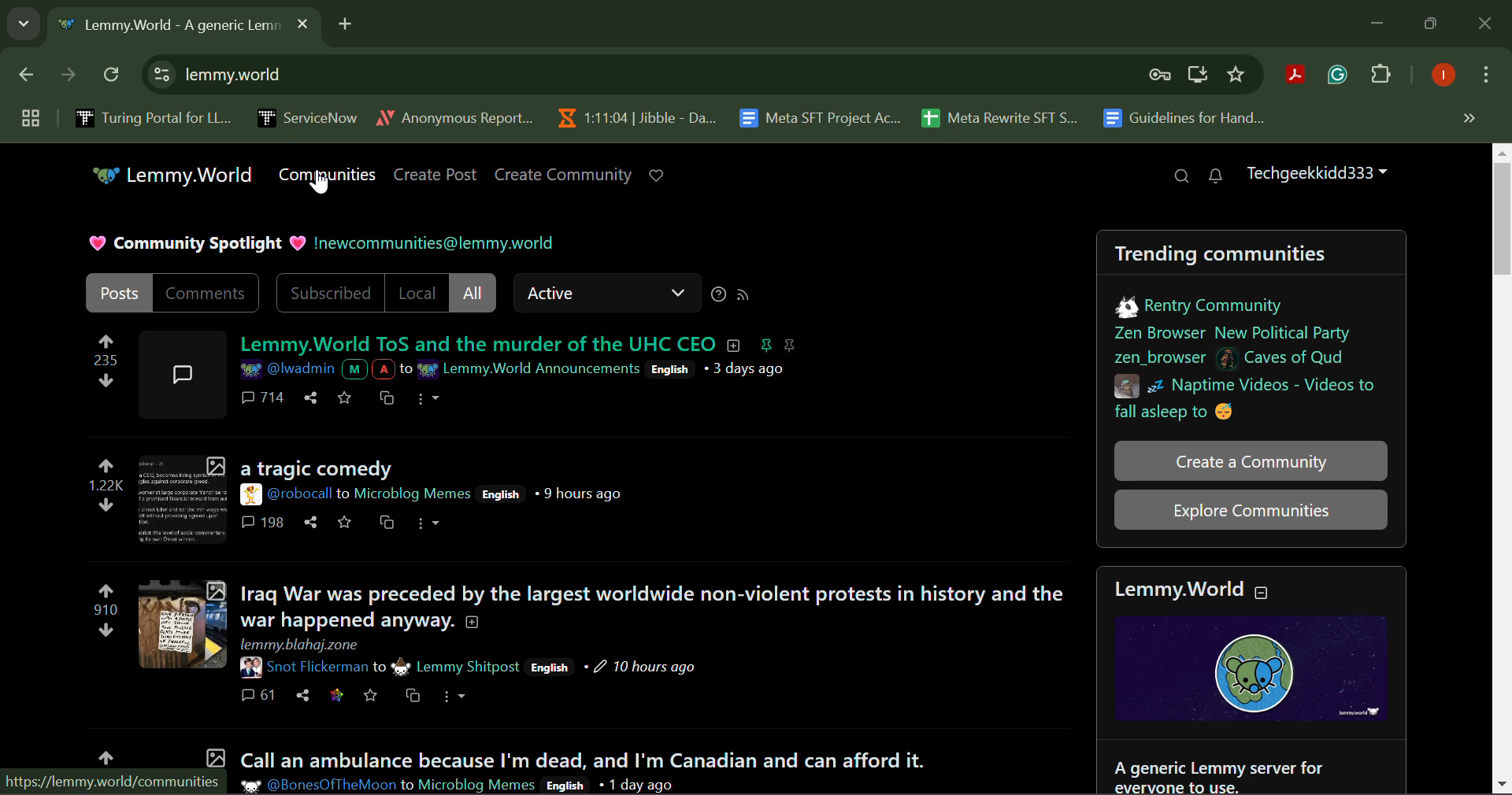 The height and width of the screenshot is (795, 1512). Describe the element at coordinates (633, 114) in the screenshot. I see `Jibble` at that location.